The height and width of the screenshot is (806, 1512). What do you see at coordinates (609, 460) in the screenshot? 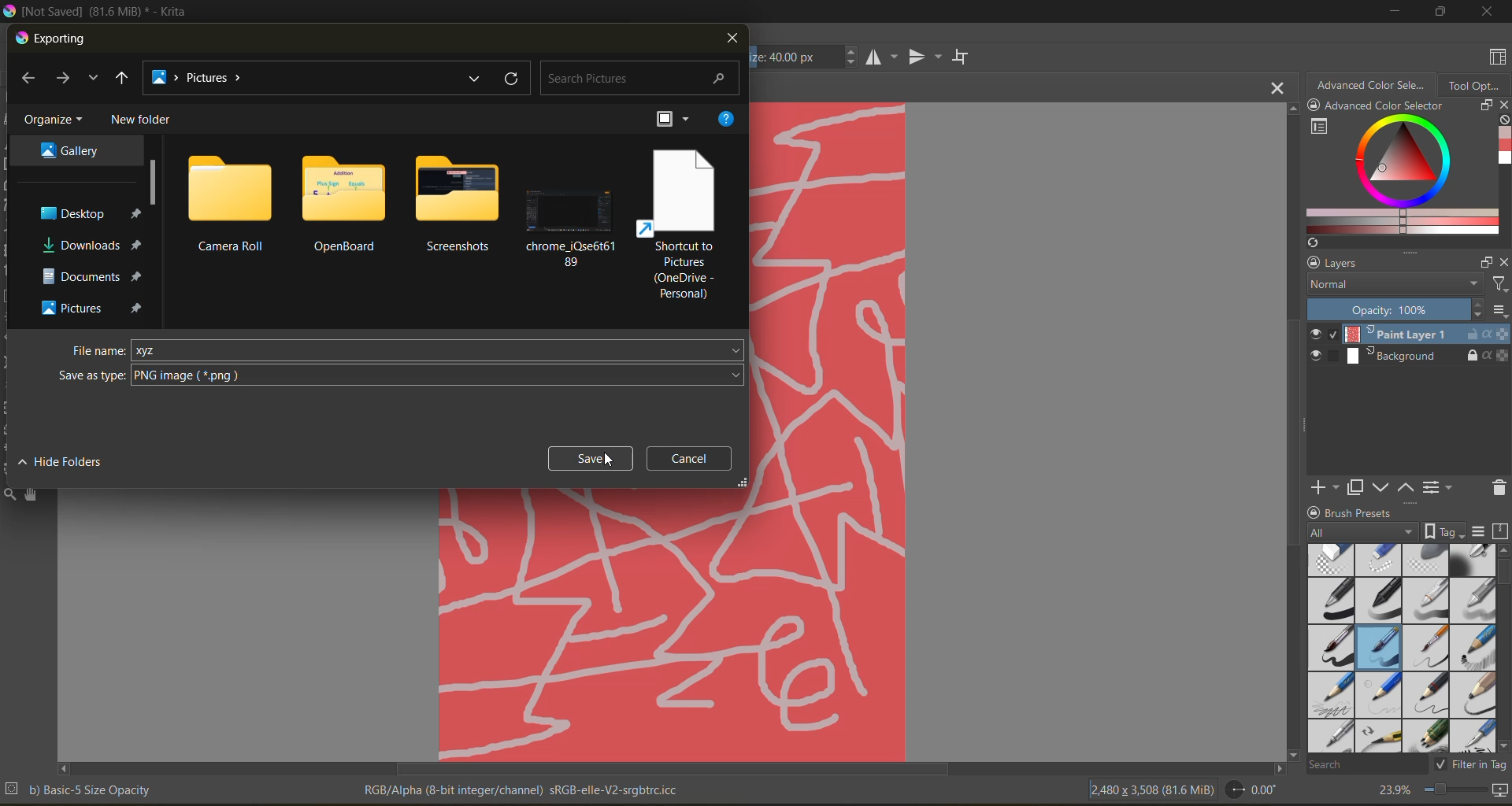
I see `cursor` at bounding box center [609, 460].